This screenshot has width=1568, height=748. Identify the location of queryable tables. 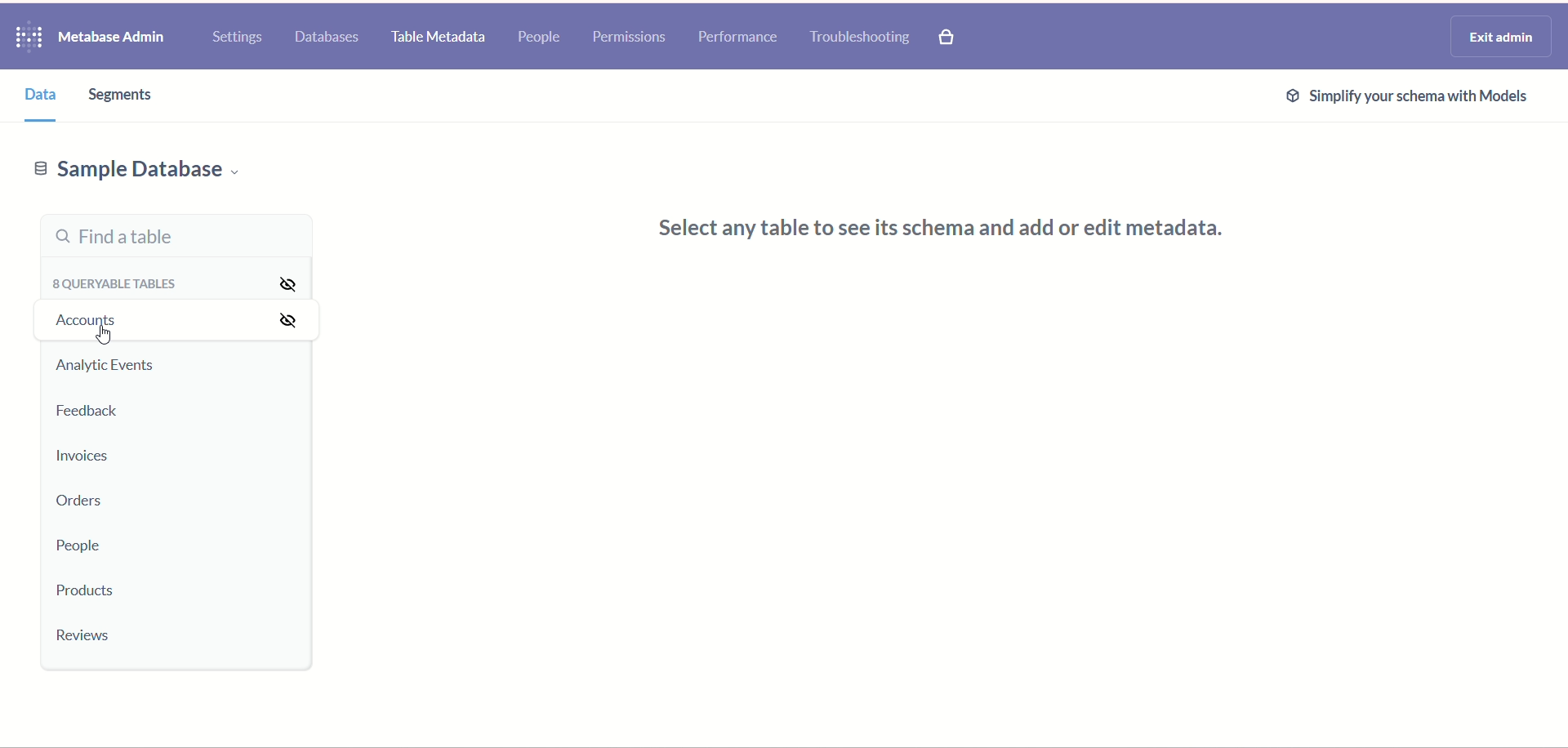
(114, 286).